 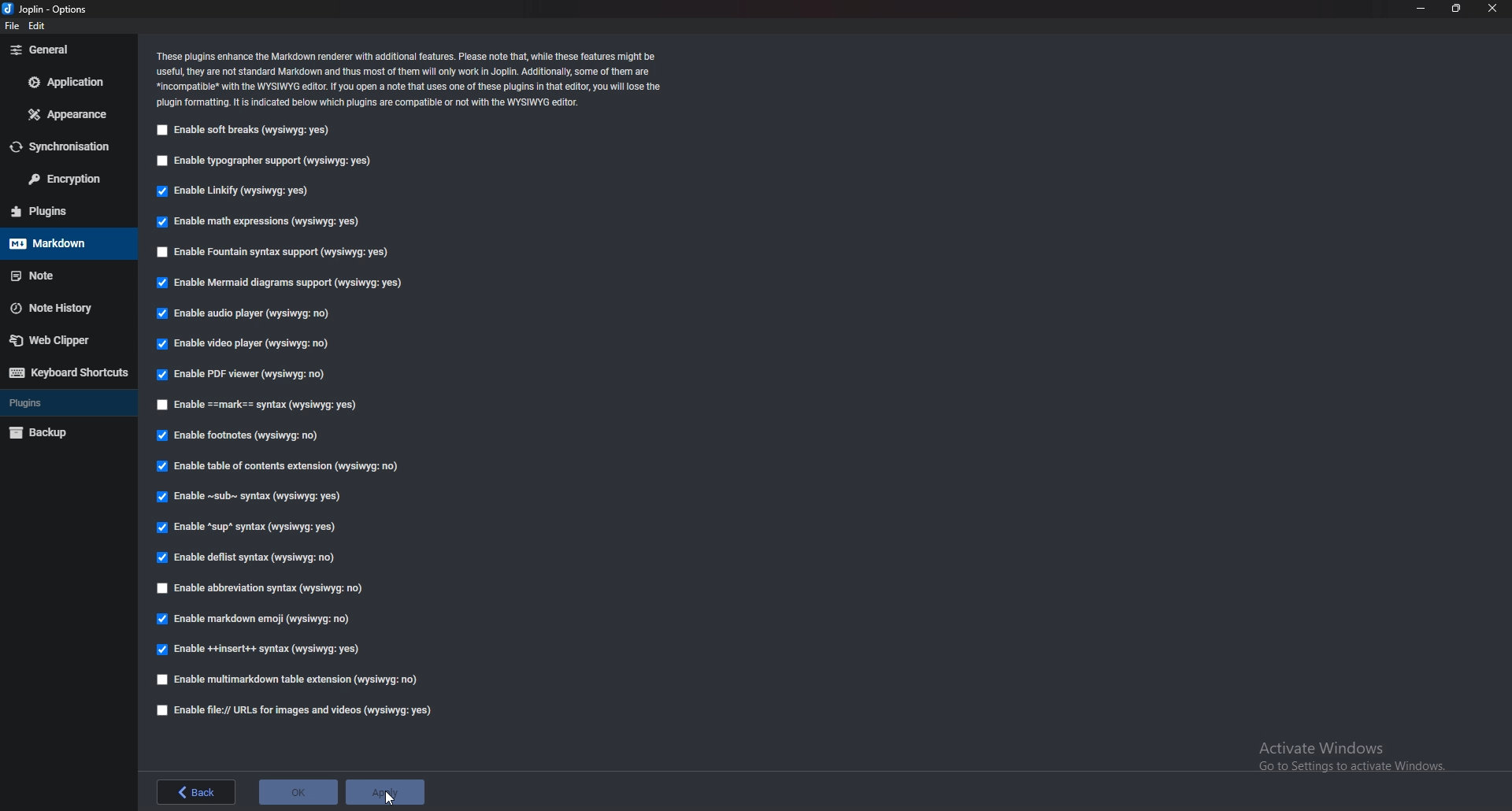 What do you see at coordinates (40, 28) in the screenshot?
I see `edit` at bounding box center [40, 28].